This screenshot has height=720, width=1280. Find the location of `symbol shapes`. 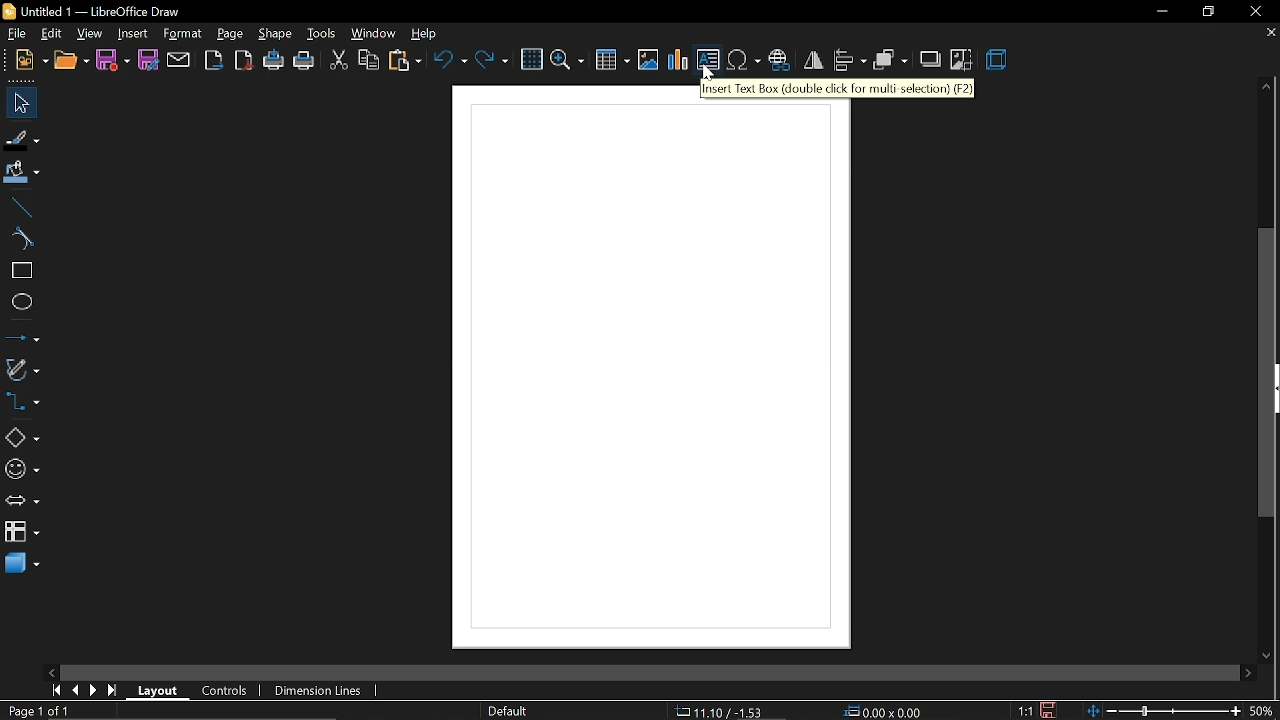

symbol shapes is located at coordinates (21, 472).